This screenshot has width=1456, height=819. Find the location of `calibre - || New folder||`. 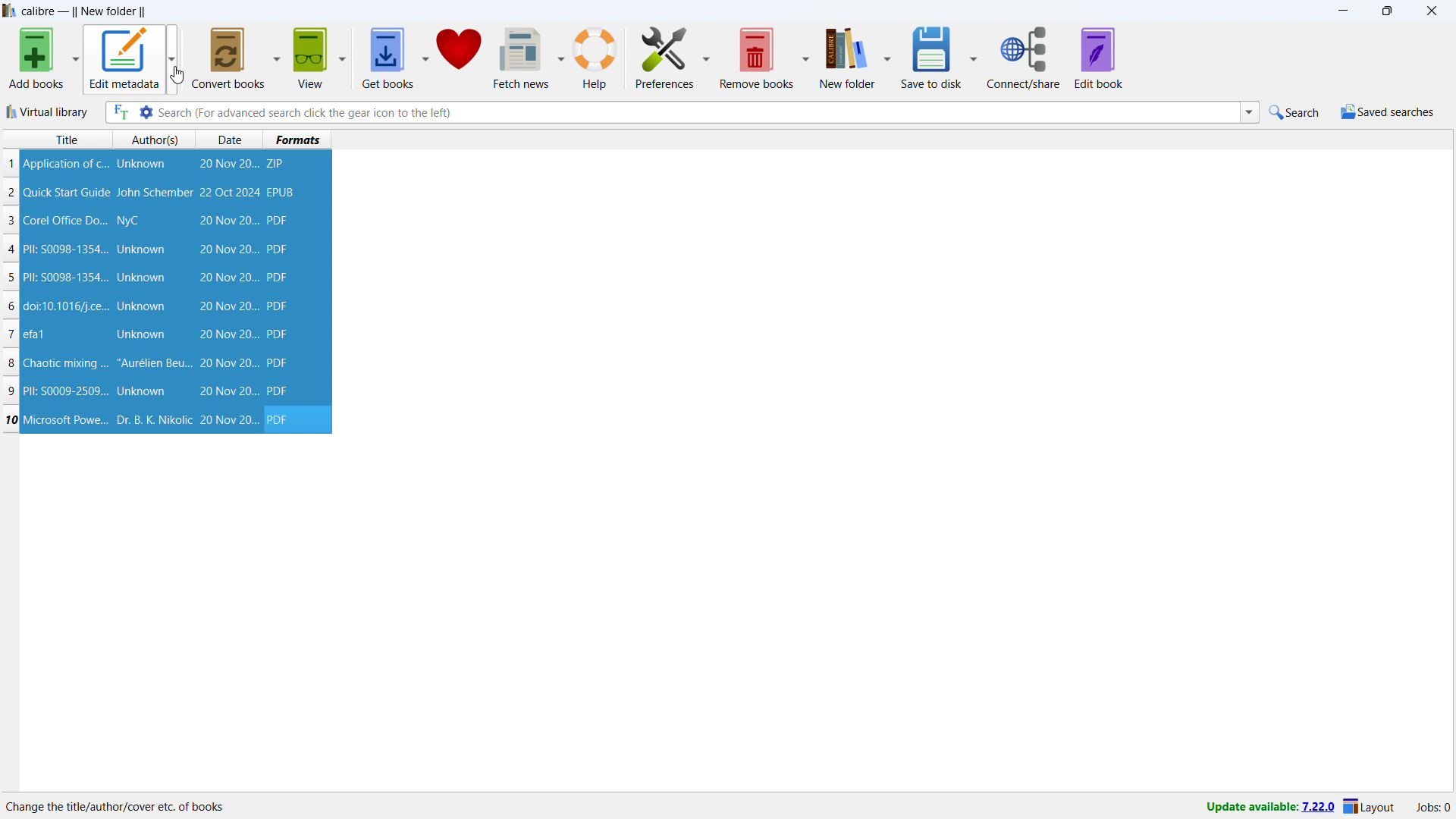

calibre - || New folder|| is located at coordinates (86, 11).